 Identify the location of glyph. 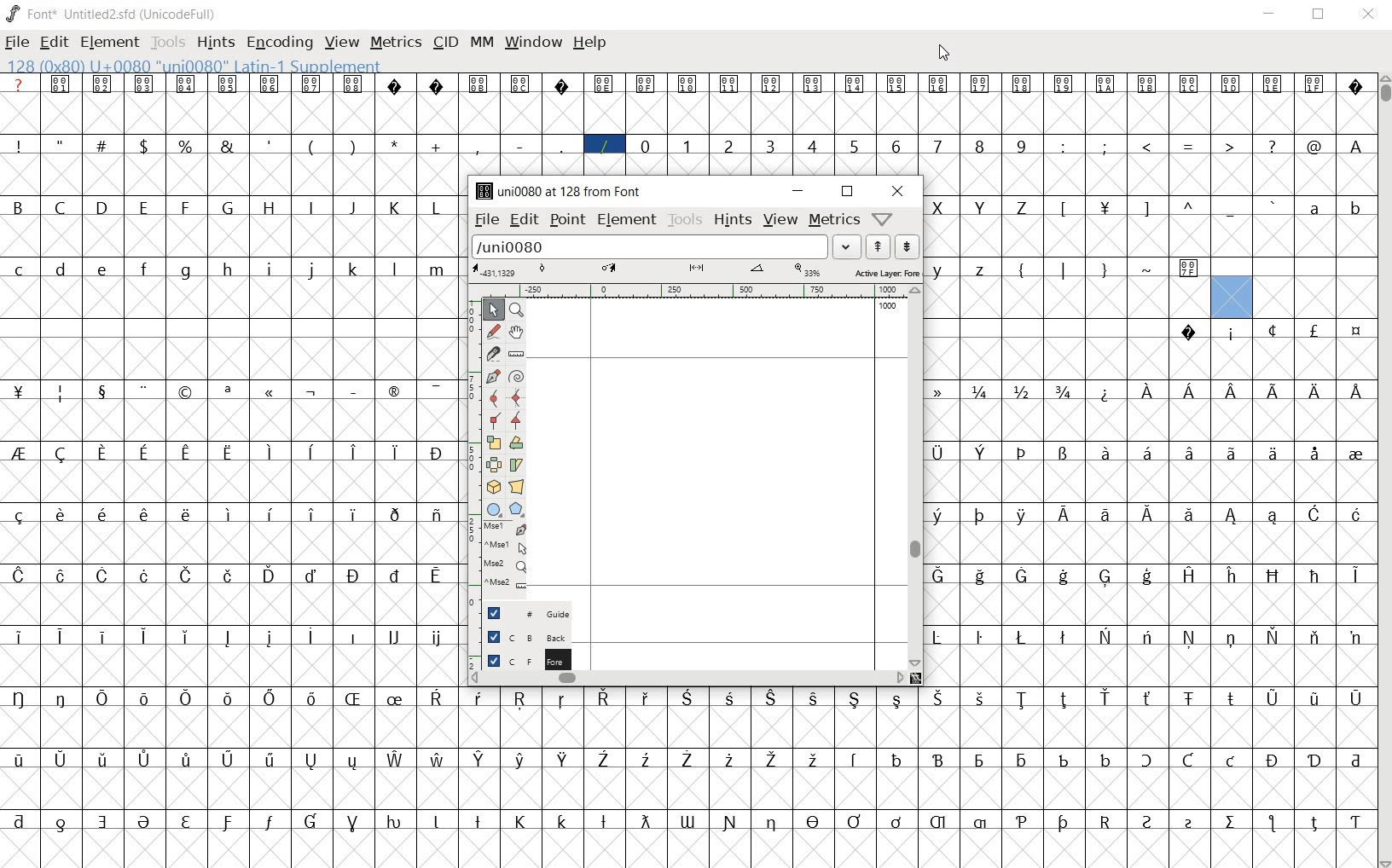
(394, 515).